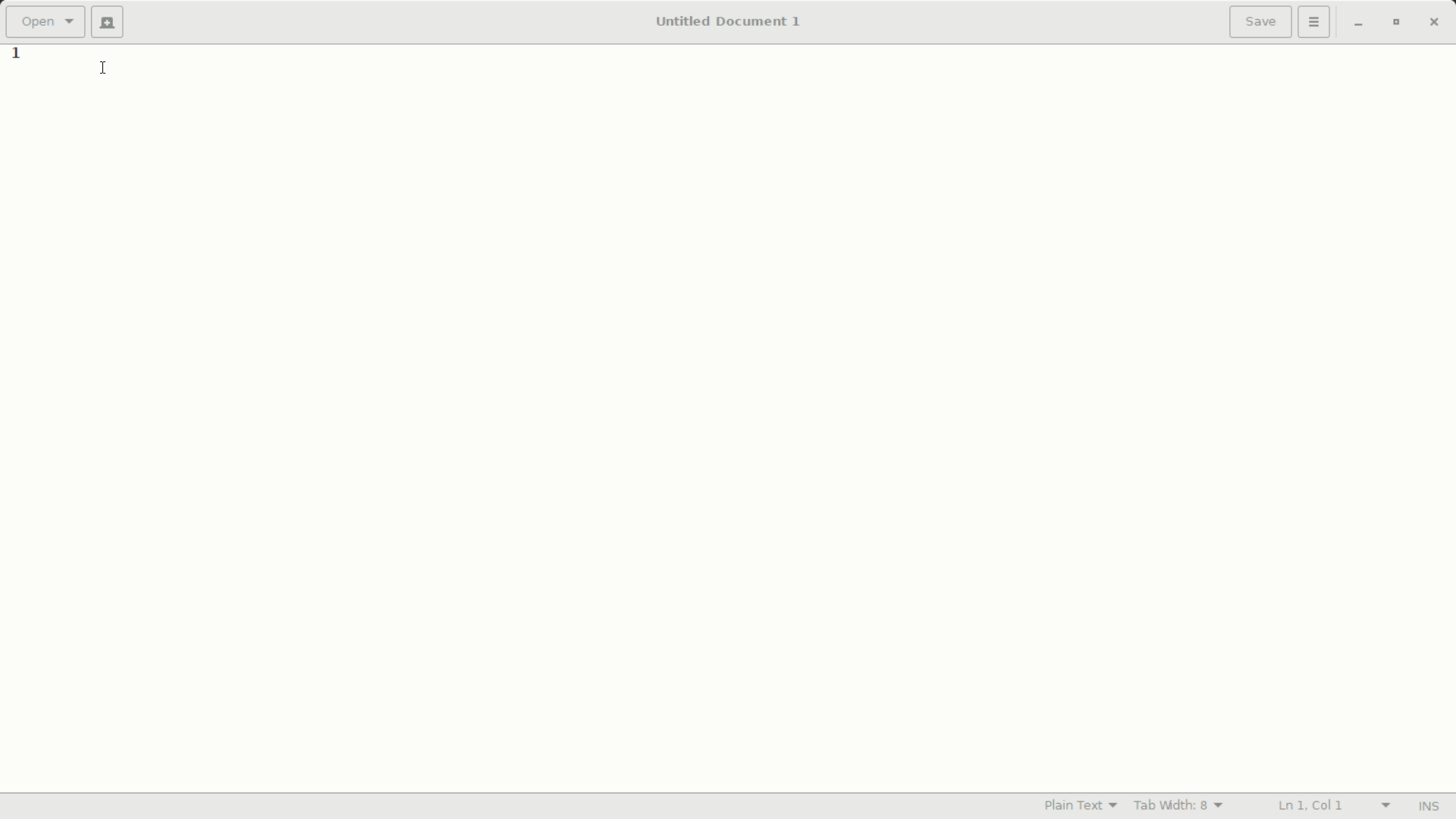  I want to click on 1, so click(17, 55).